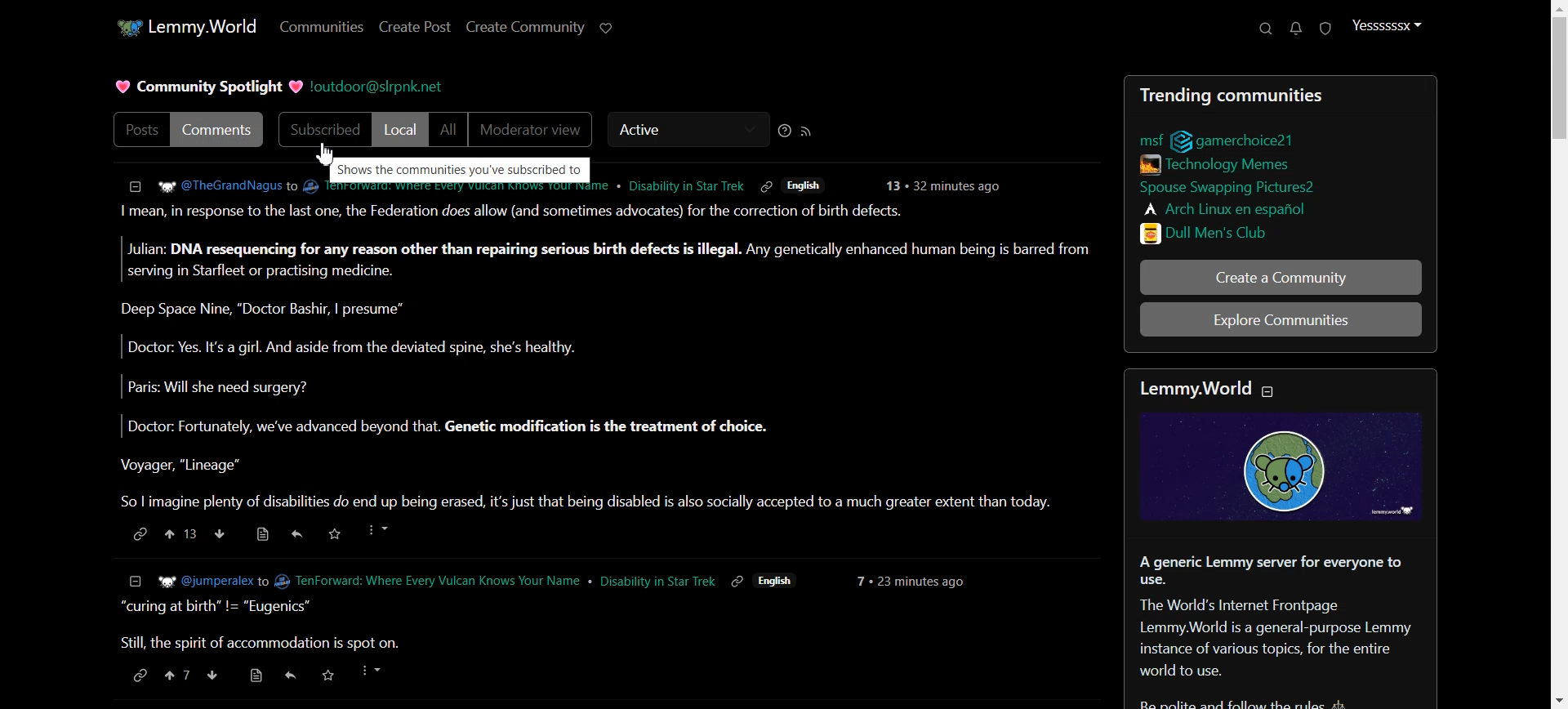 The width and height of the screenshot is (1568, 709). What do you see at coordinates (1239, 138) in the screenshot?
I see `link` at bounding box center [1239, 138].